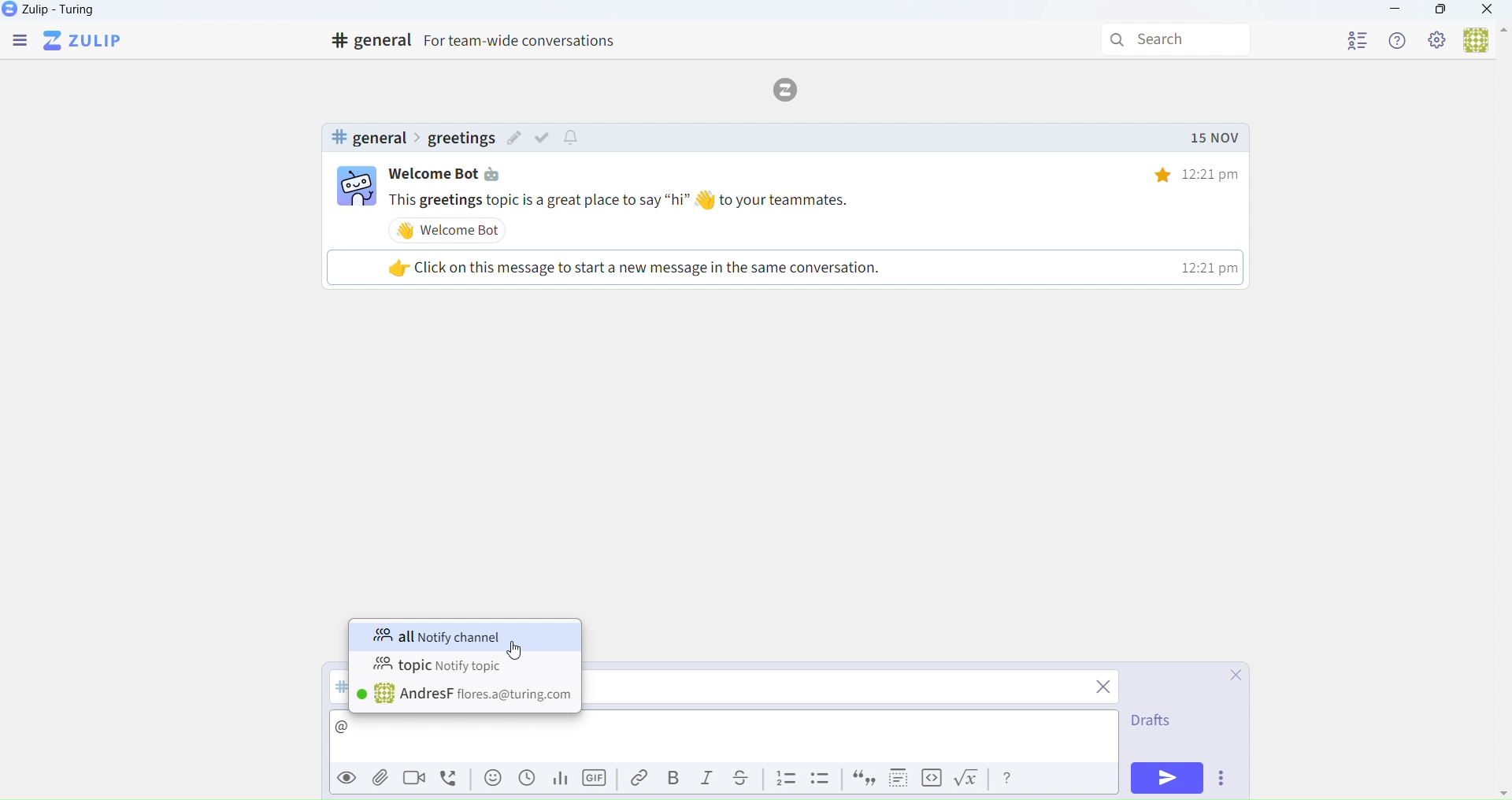 Image resolution: width=1512 pixels, height=800 pixels. What do you see at coordinates (708, 781) in the screenshot?
I see `Italic` at bounding box center [708, 781].